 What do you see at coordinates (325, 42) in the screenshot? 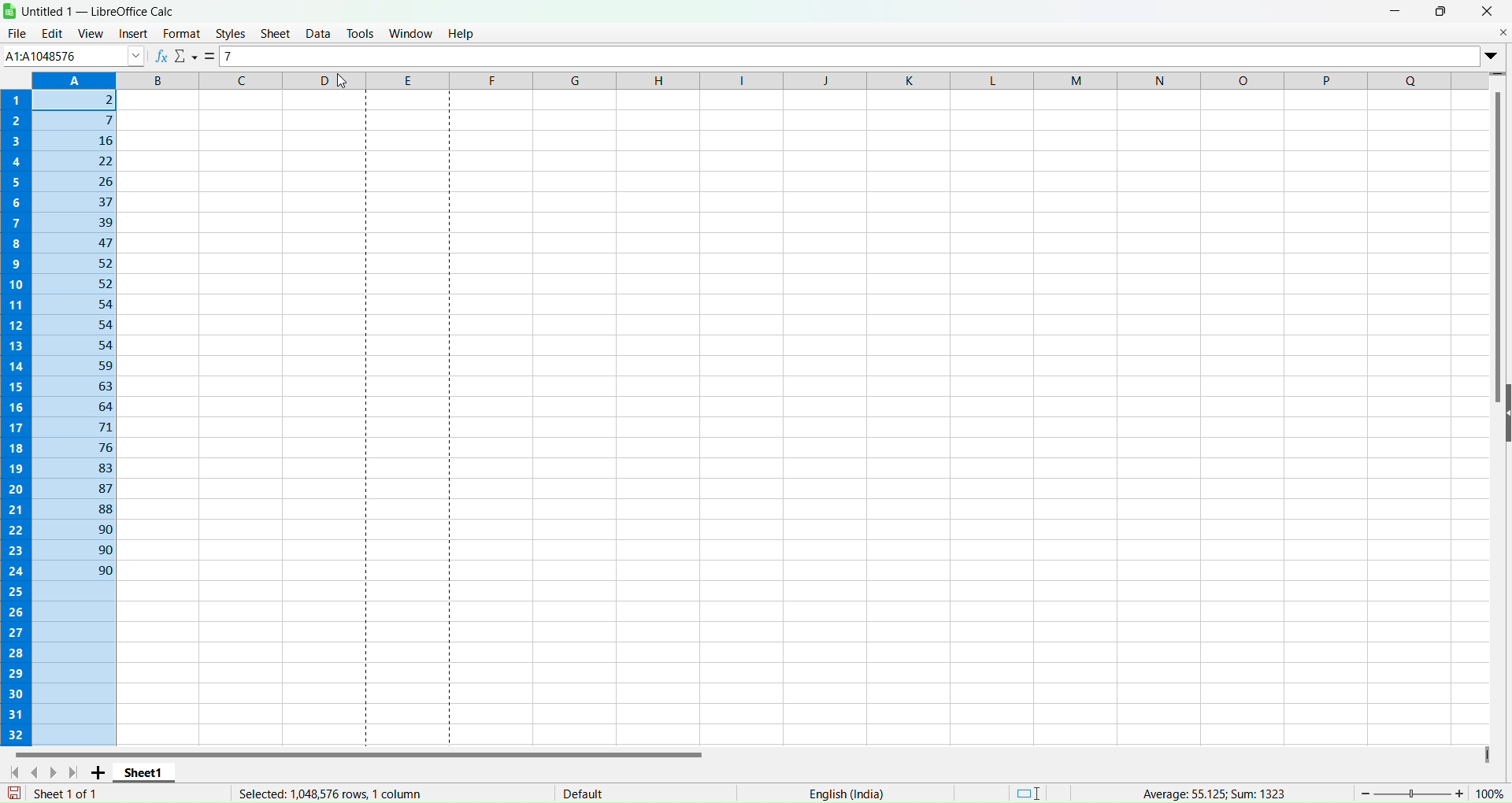
I see `Cursor` at bounding box center [325, 42].